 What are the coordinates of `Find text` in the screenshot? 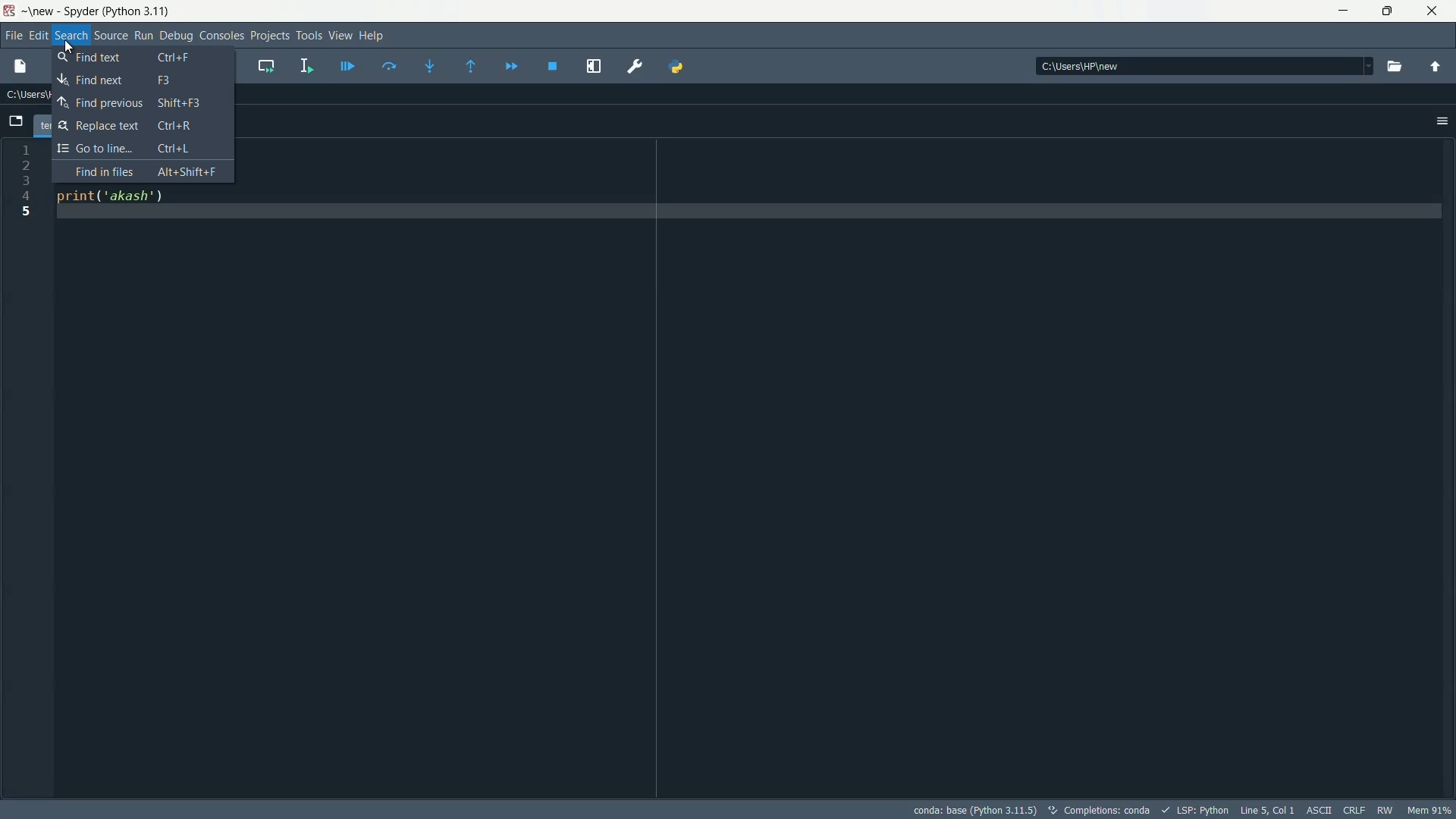 It's located at (141, 58).